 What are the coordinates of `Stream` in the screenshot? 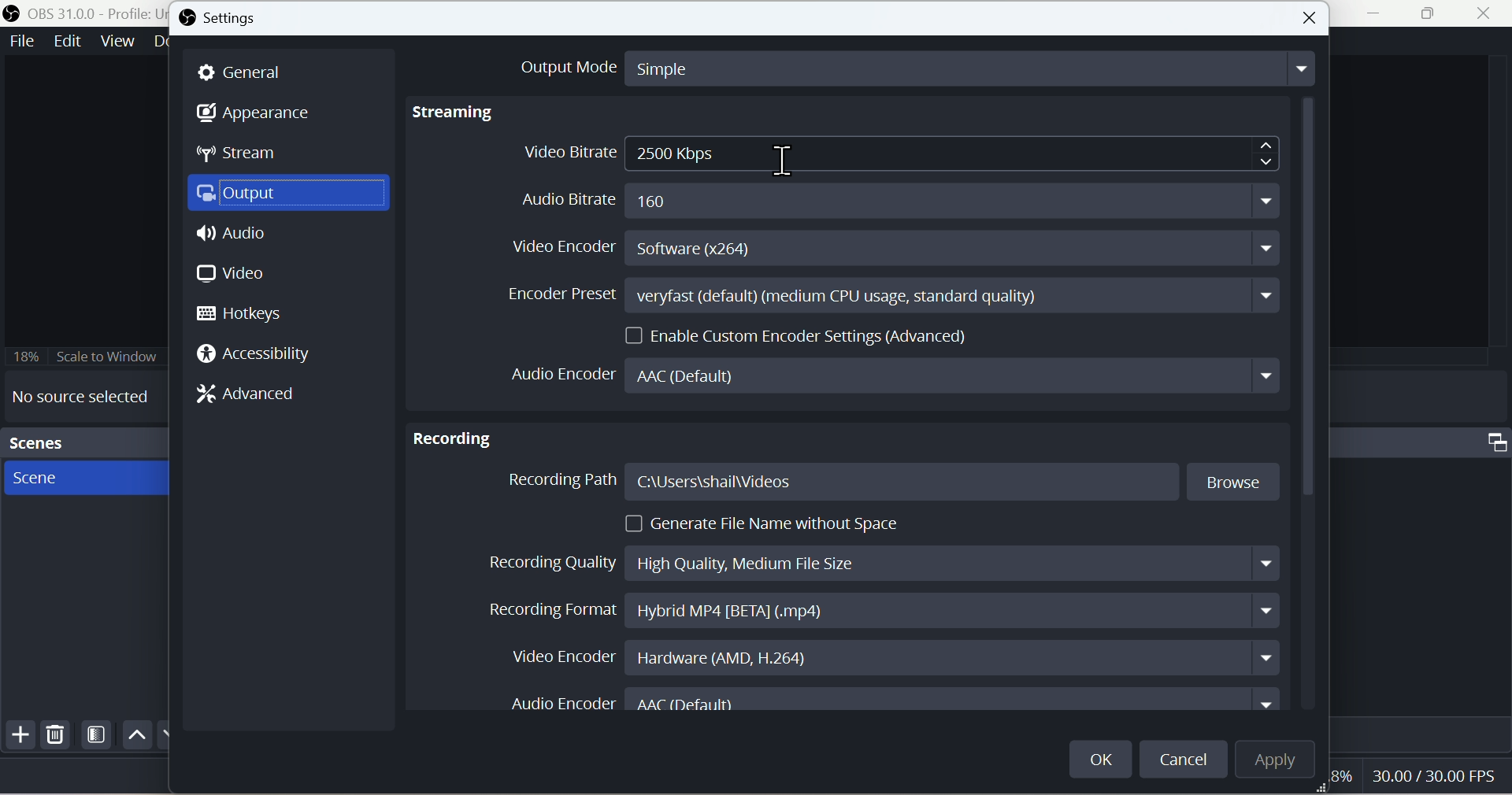 It's located at (250, 157).